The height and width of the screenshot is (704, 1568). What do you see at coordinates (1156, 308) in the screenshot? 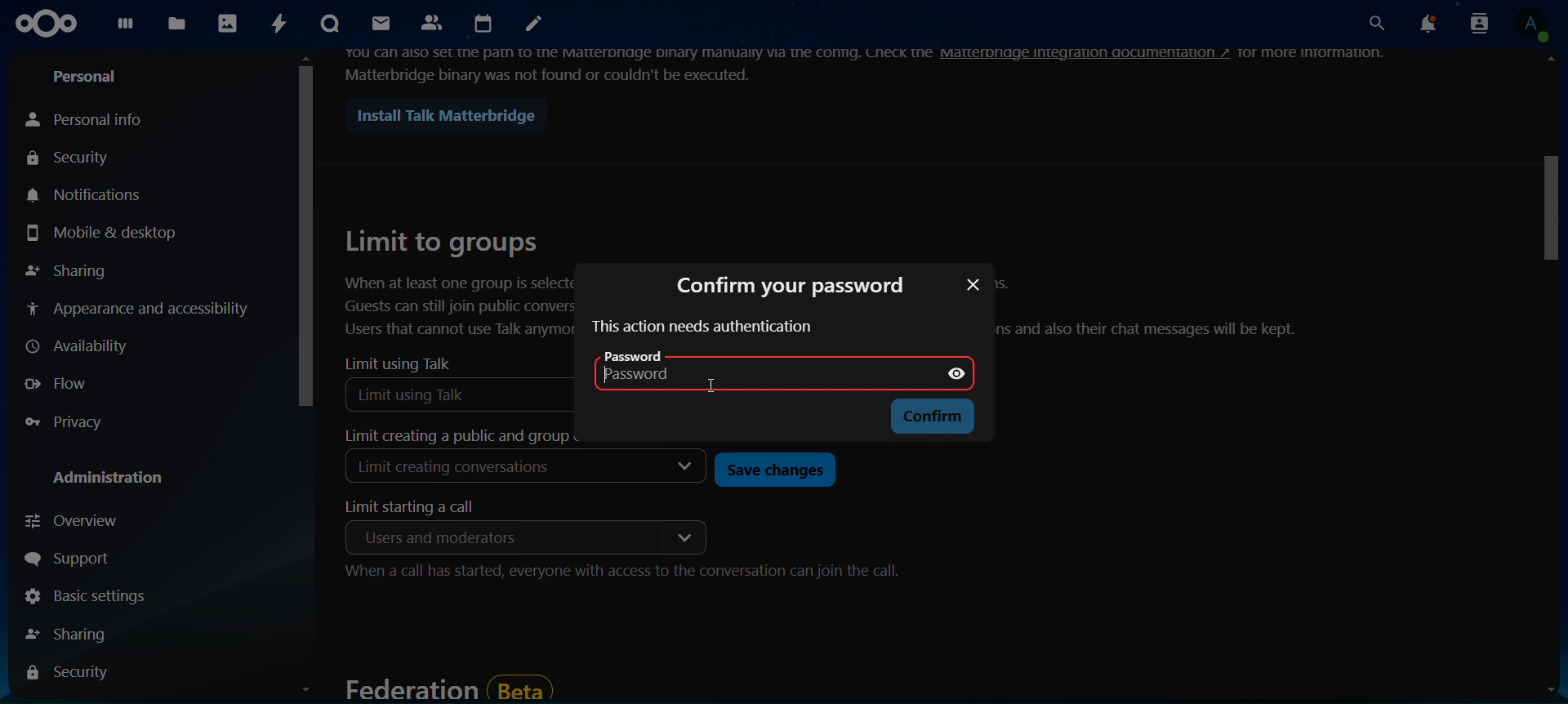
I see `text` at bounding box center [1156, 308].